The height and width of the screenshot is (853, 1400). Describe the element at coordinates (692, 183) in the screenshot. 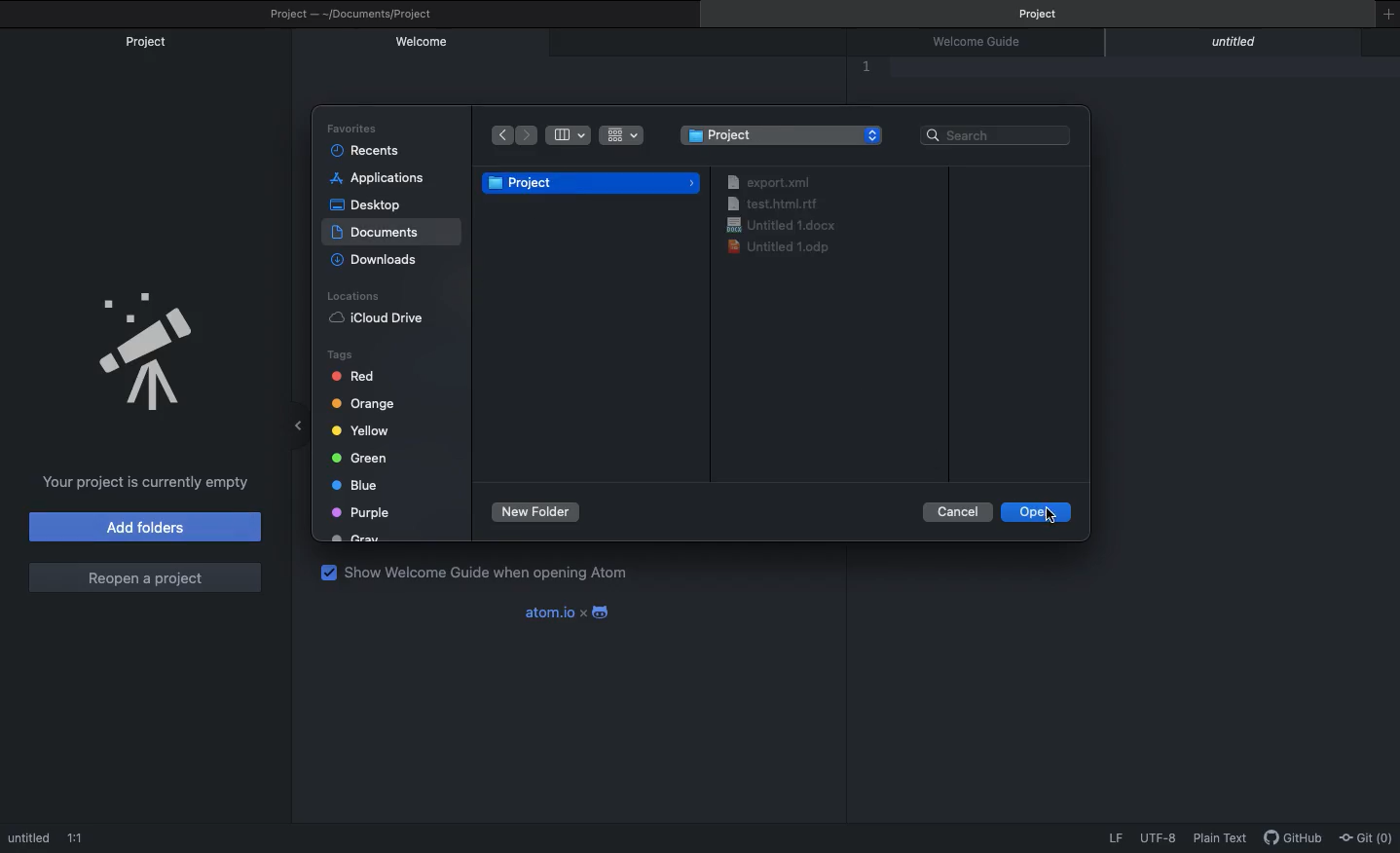

I see `icon` at that location.